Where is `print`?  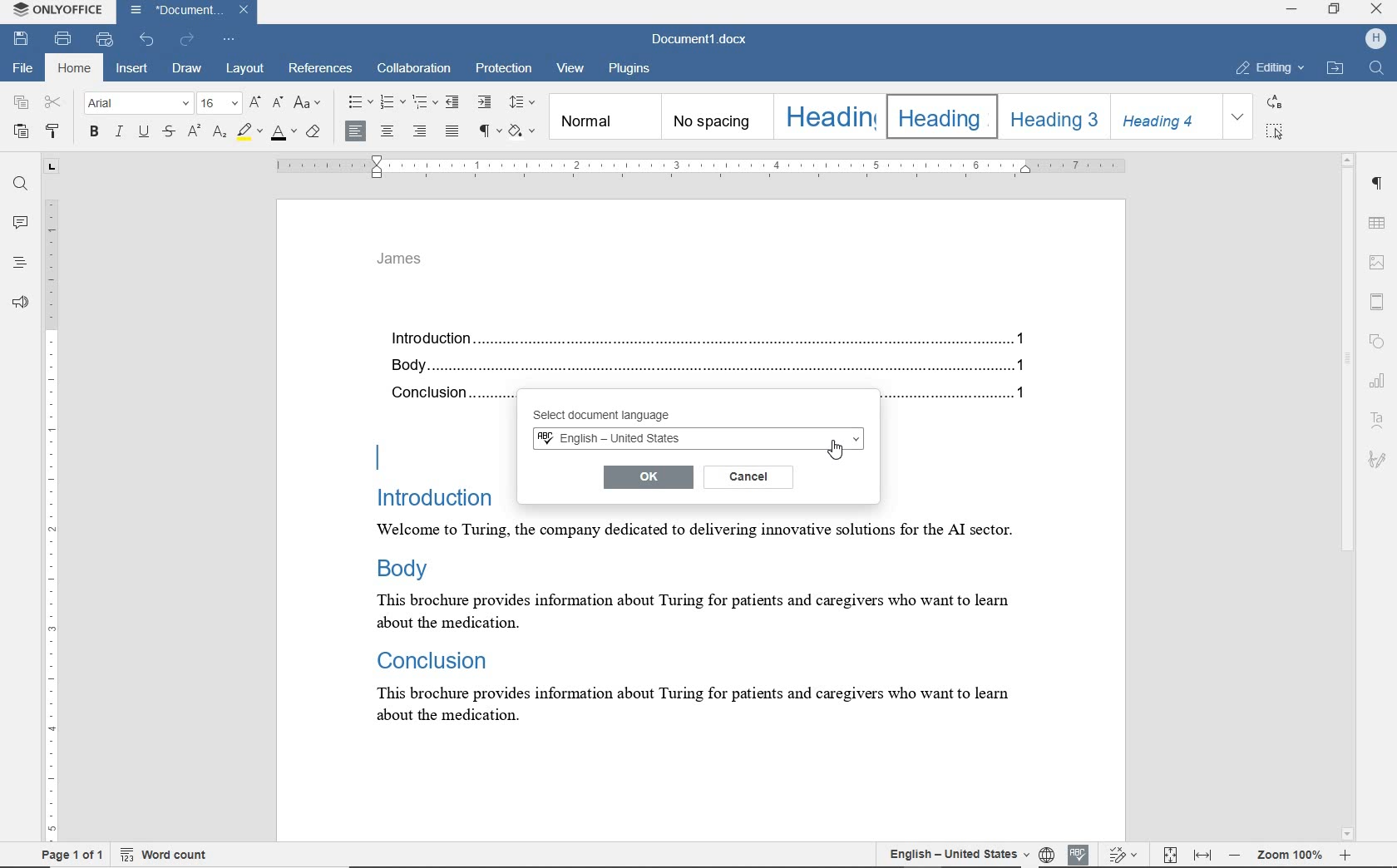
print is located at coordinates (65, 38).